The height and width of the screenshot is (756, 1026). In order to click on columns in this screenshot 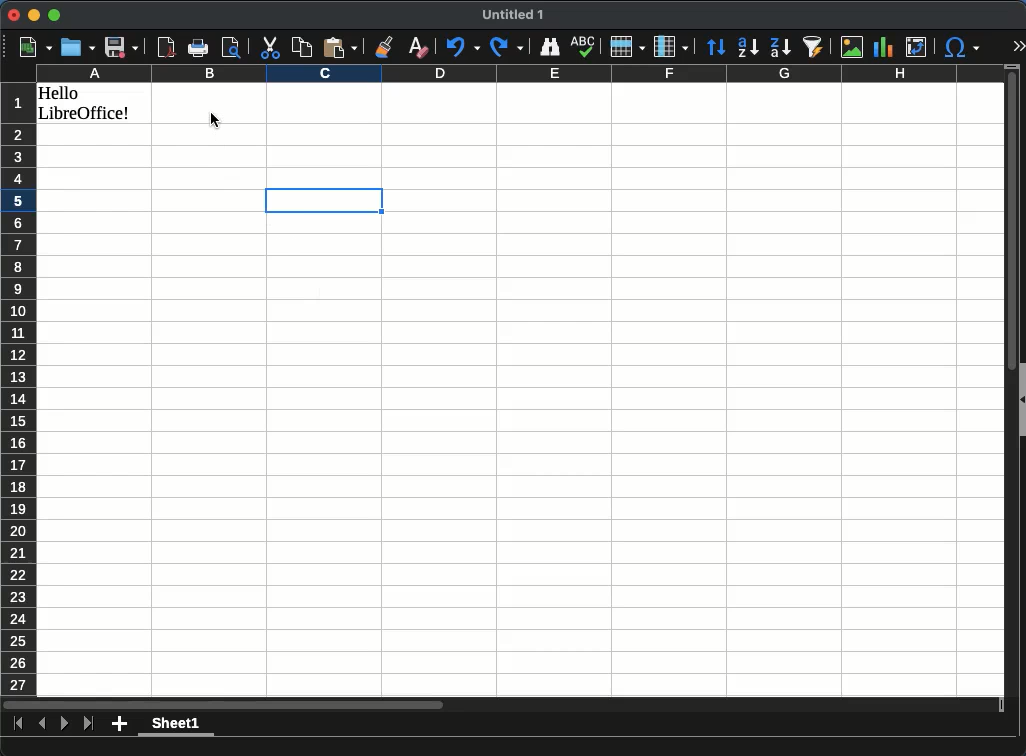, I will do `click(671, 46)`.